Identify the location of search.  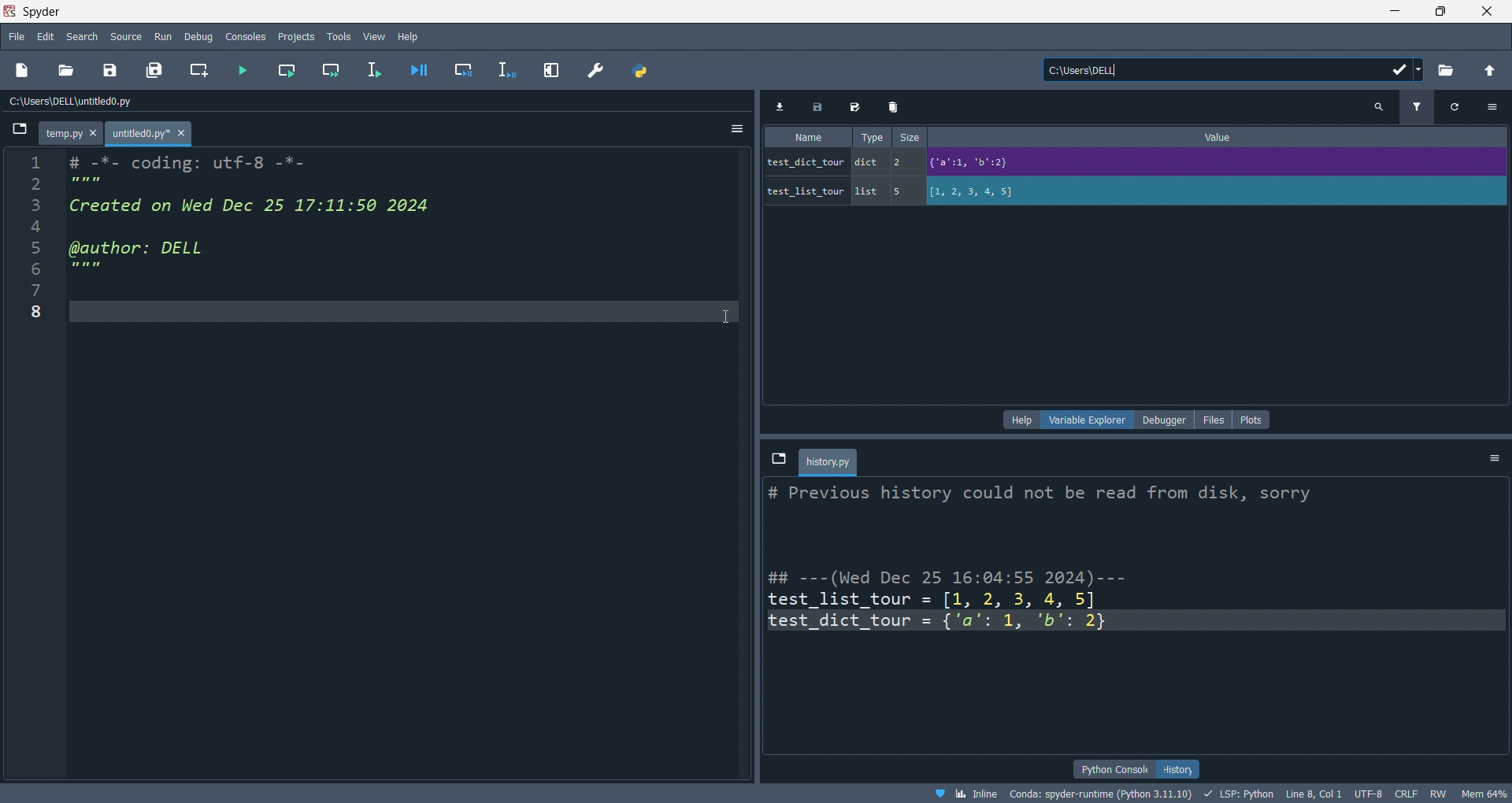
(83, 36).